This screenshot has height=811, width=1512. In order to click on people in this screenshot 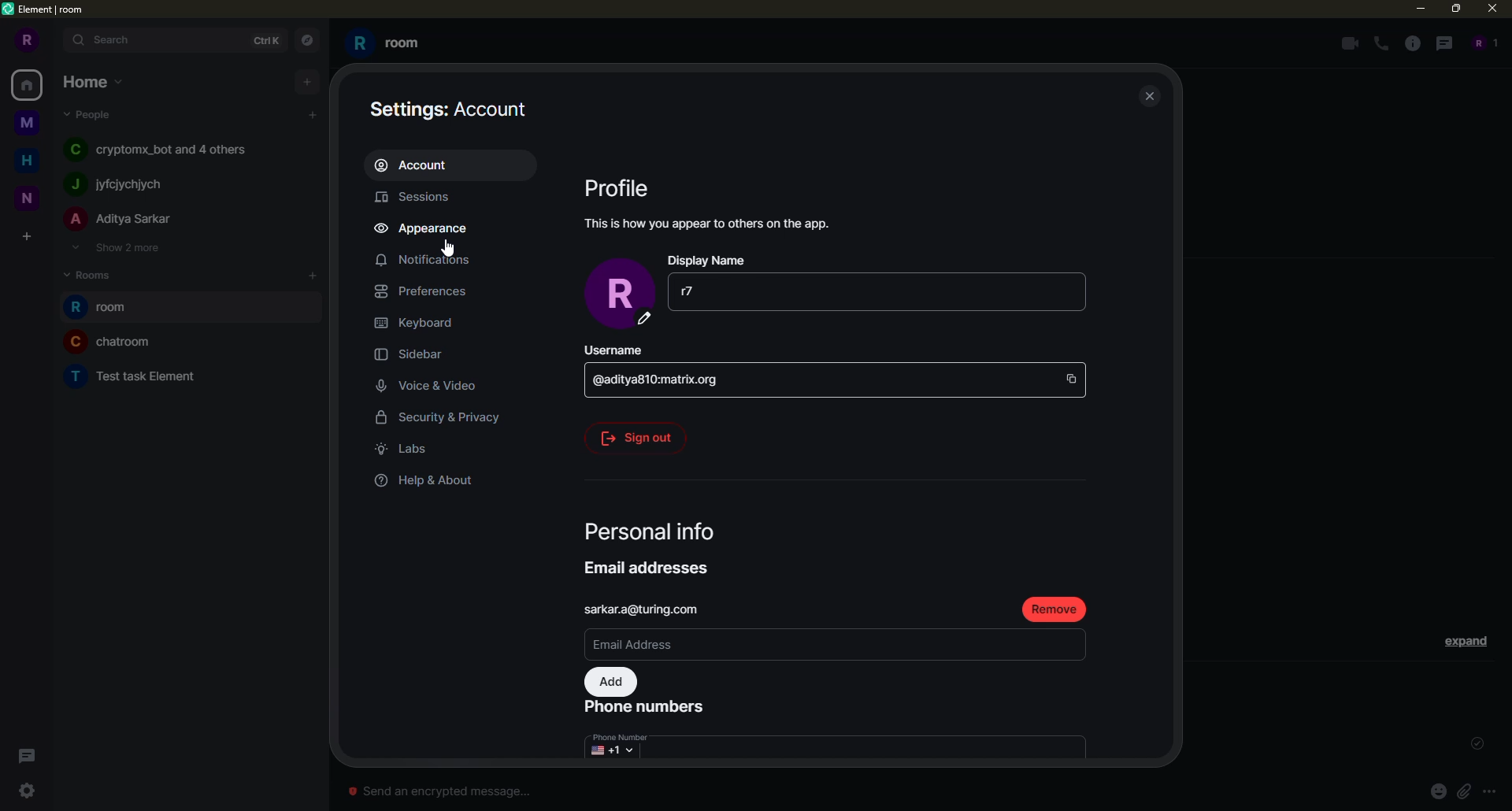, I will do `click(1482, 43)`.